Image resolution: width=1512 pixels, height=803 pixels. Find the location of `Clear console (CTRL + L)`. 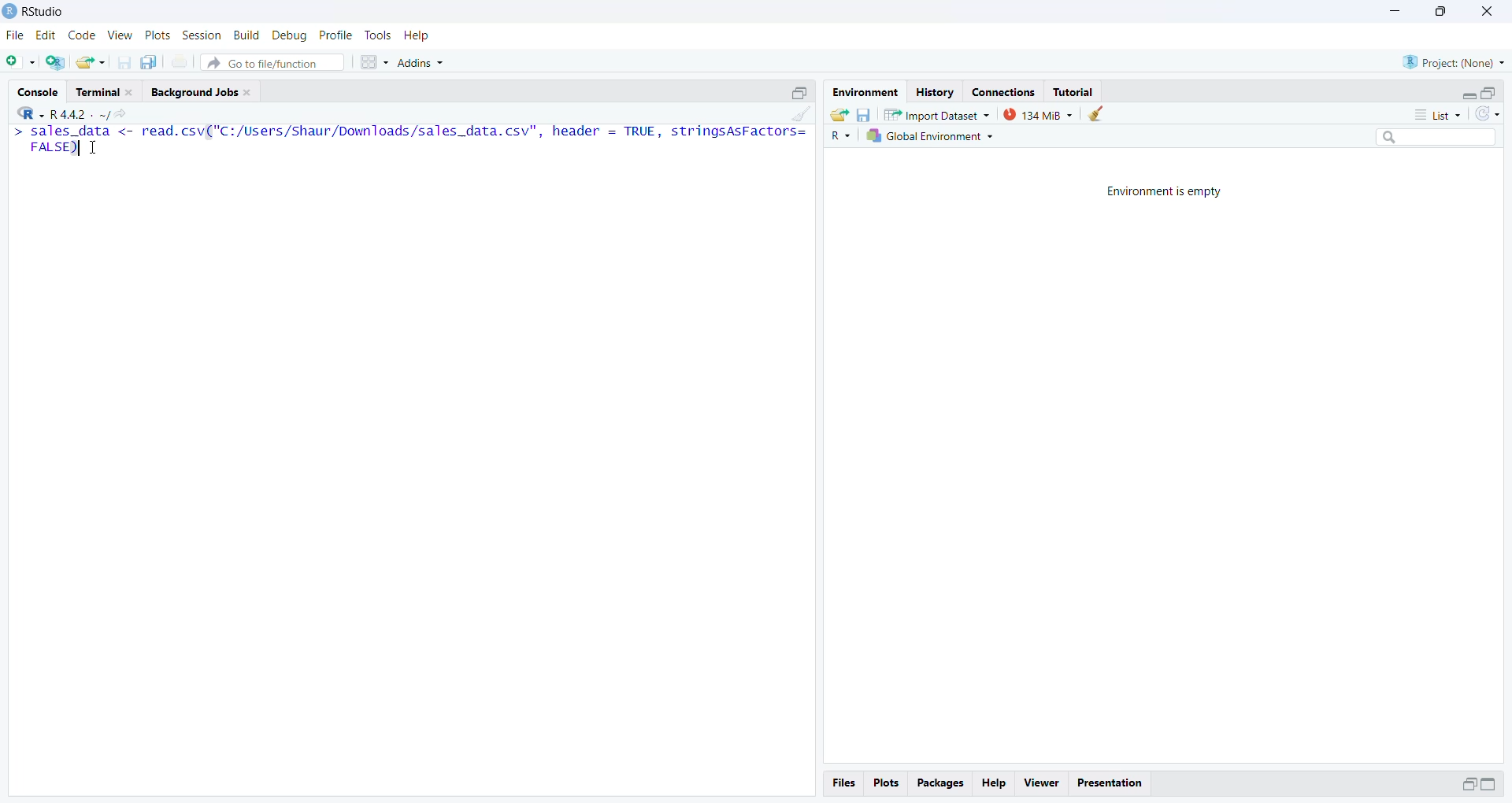

Clear console (CTRL + L) is located at coordinates (799, 113).